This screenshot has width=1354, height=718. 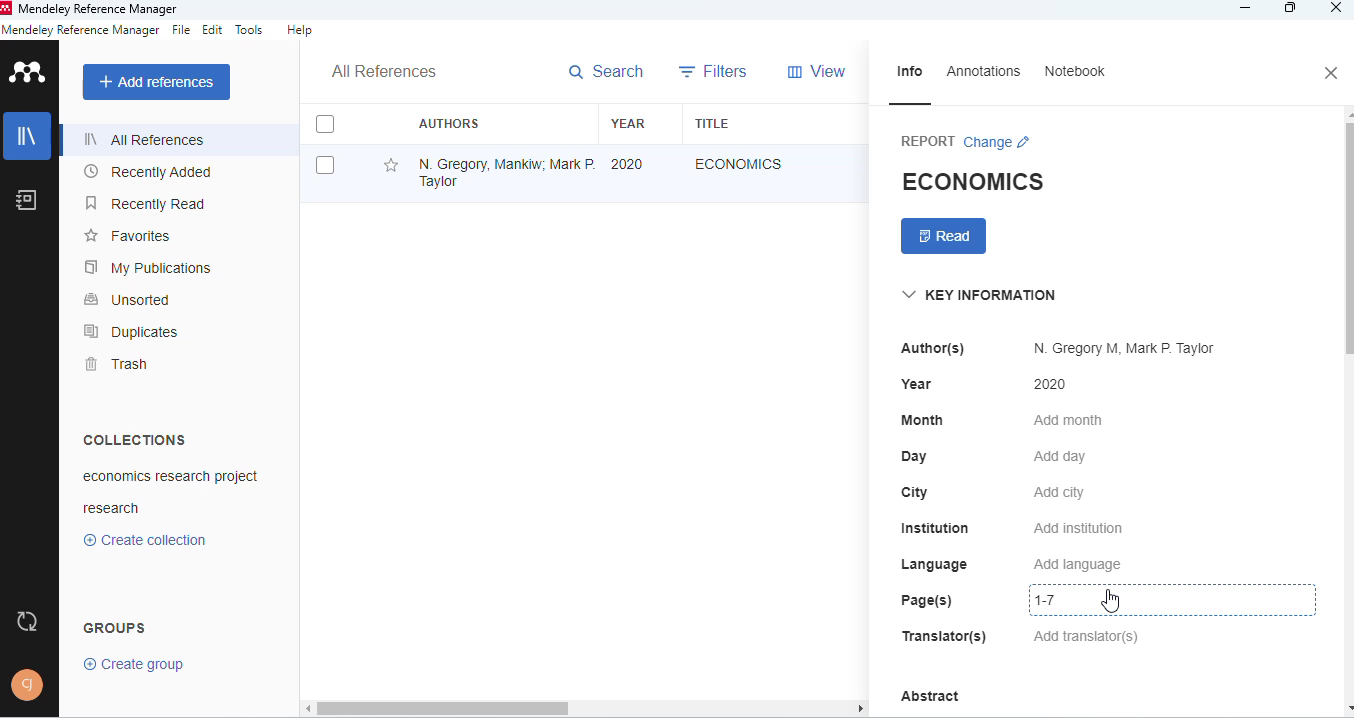 What do you see at coordinates (816, 71) in the screenshot?
I see `view` at bounding box center [816, 71].